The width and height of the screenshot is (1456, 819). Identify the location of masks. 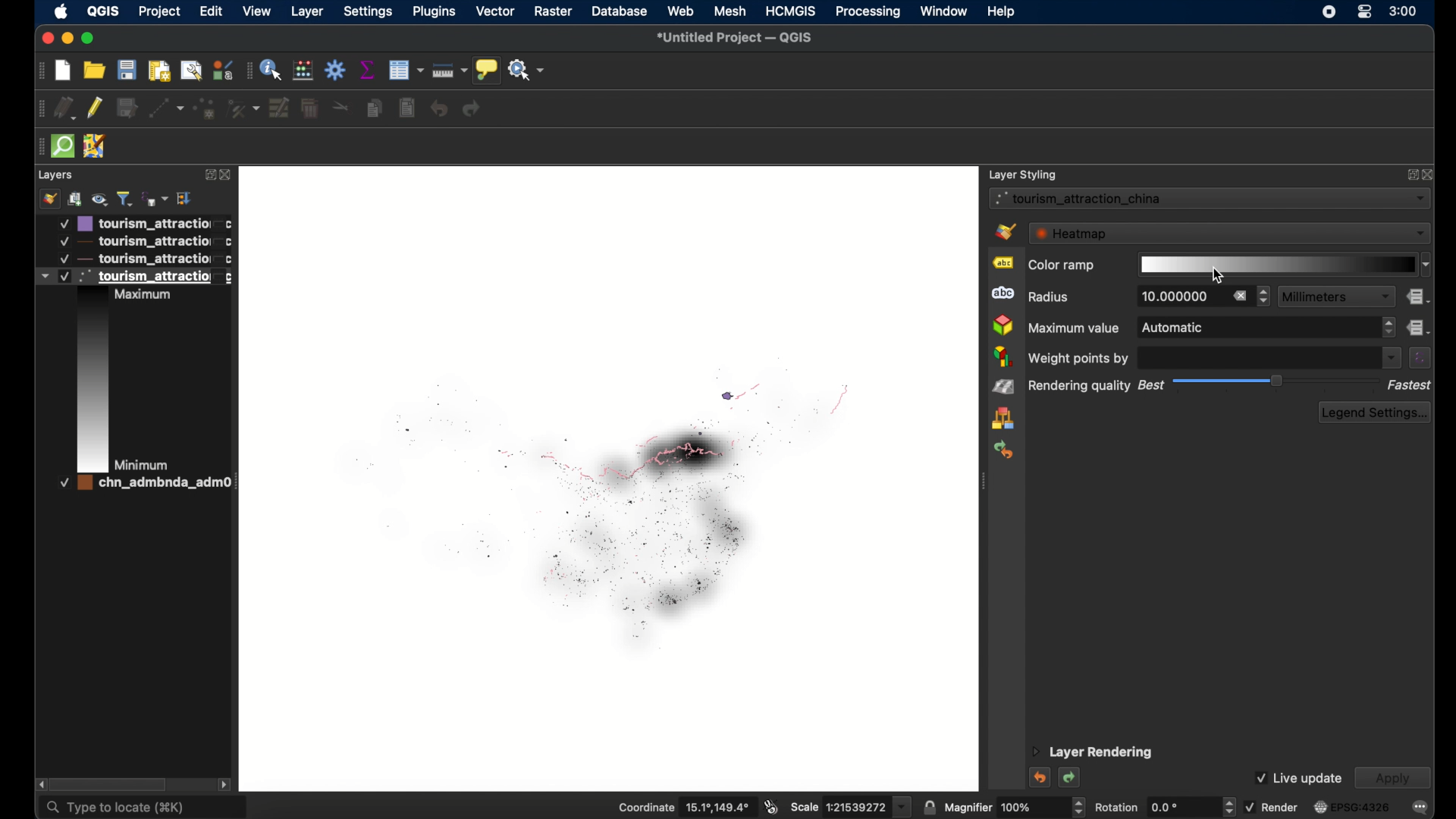
(1001, 294).